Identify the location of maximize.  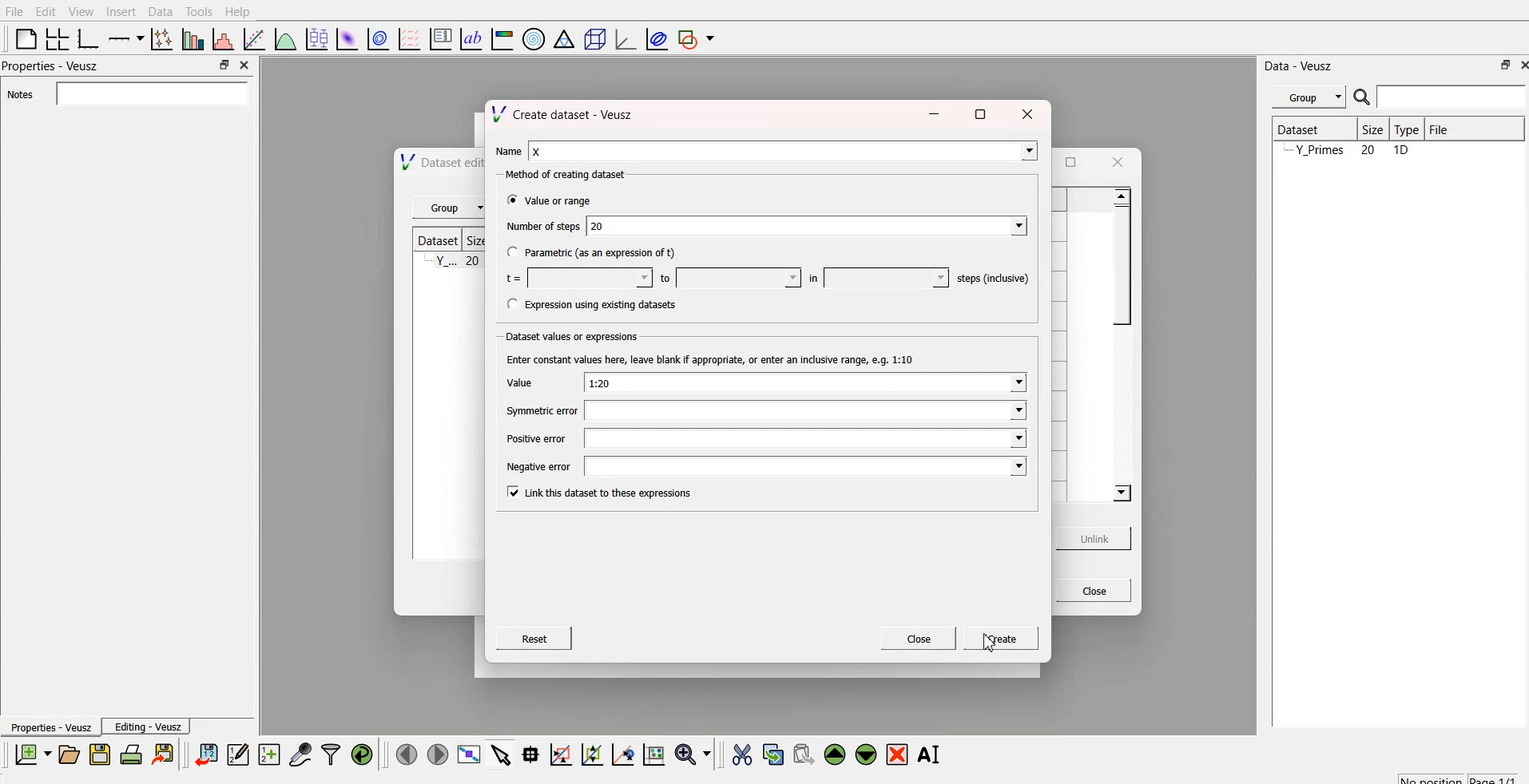
(1070, 160).